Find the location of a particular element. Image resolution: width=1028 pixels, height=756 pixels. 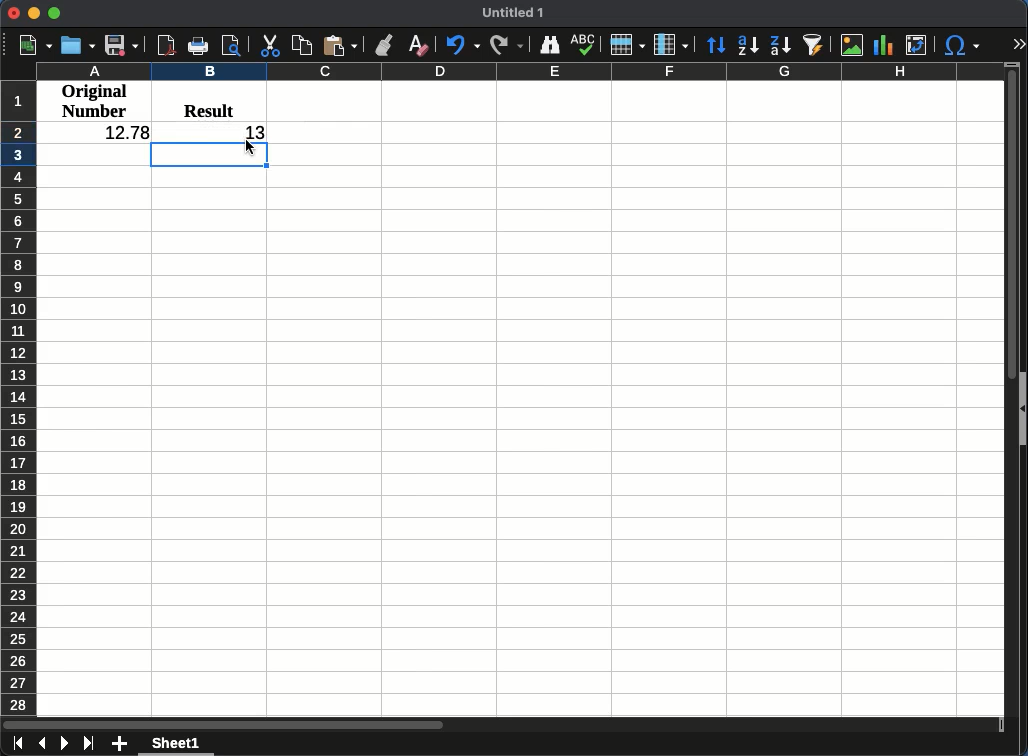

13 is located at coordinates (252, 131).